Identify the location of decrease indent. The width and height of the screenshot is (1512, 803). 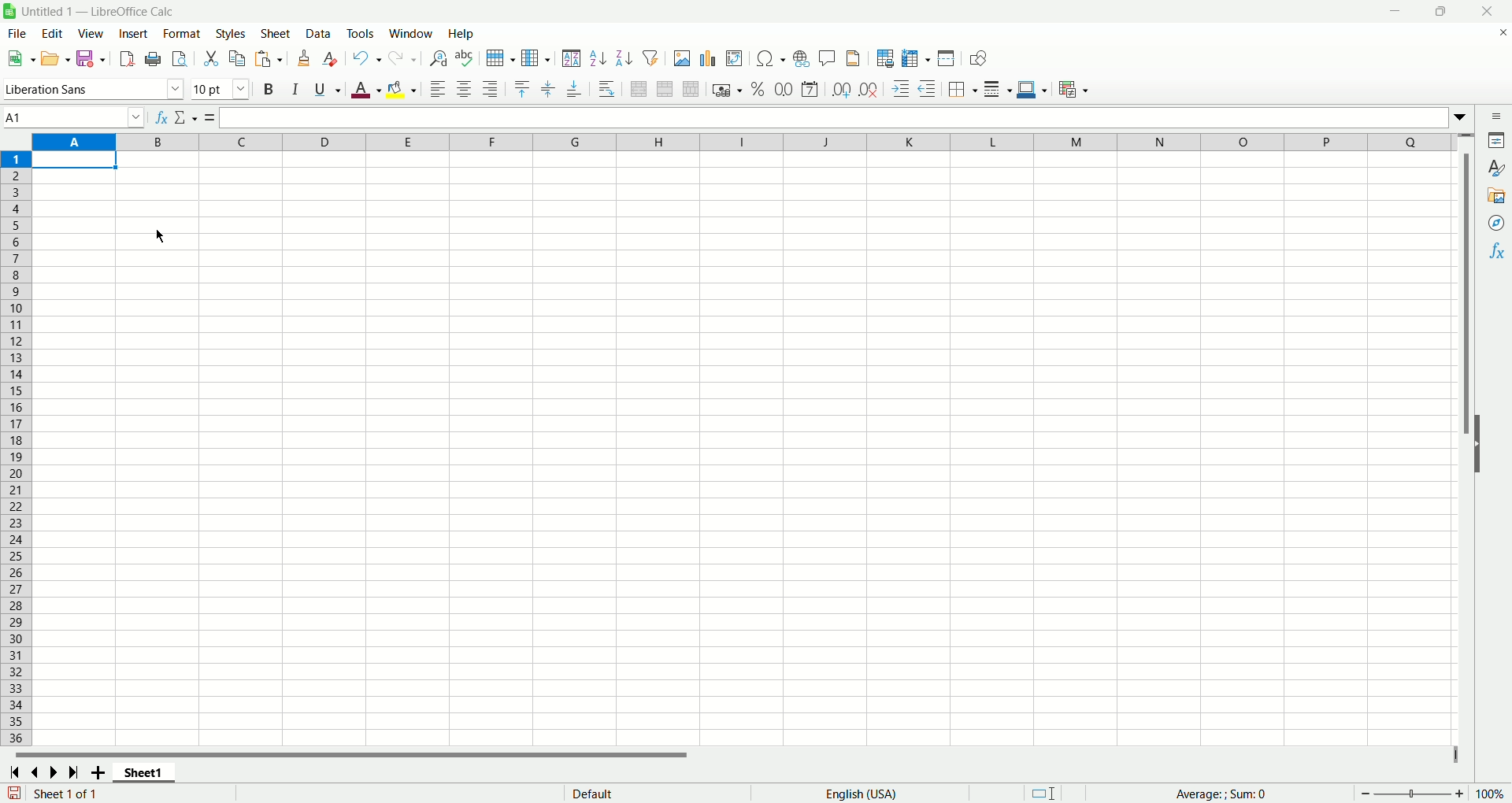
(929, 89).